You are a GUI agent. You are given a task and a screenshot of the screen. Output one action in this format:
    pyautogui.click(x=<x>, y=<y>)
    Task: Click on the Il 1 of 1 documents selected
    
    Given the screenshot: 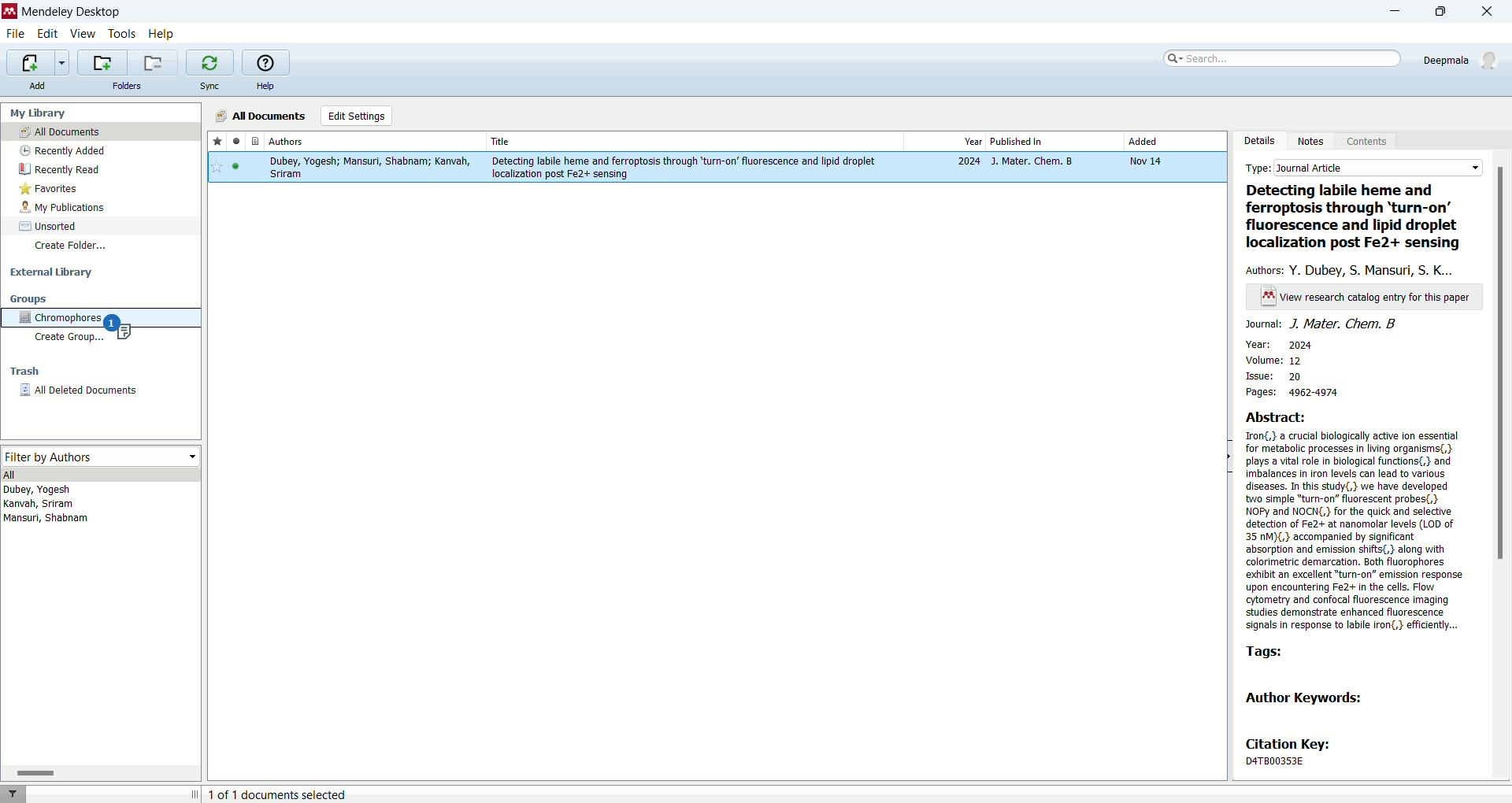 What is the action you would take?
    pyautogui.click(x=309, y=794)
    